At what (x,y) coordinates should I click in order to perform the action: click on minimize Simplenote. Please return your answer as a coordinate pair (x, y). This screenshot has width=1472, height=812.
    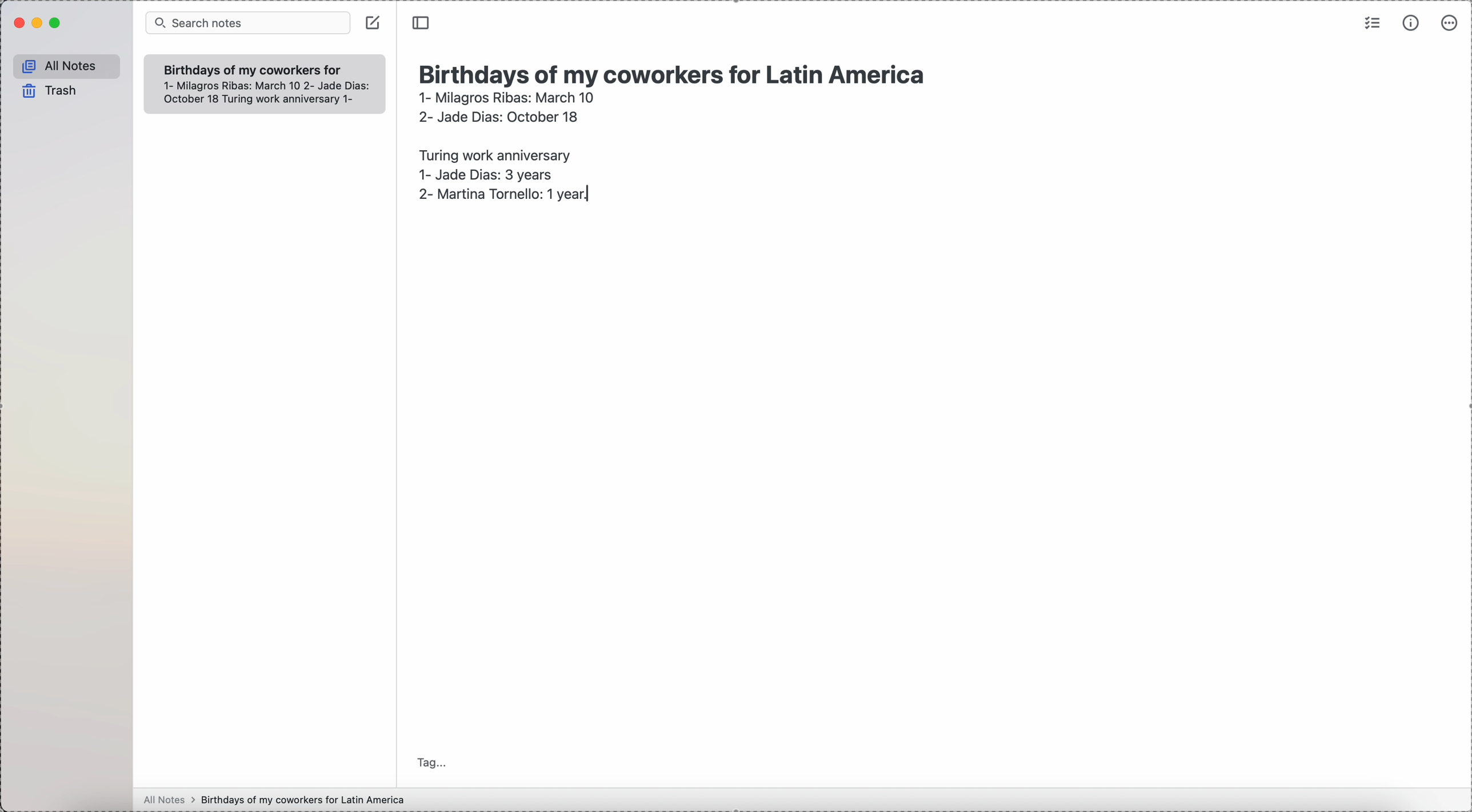
    Looking at the image, I should click on (39, 24).